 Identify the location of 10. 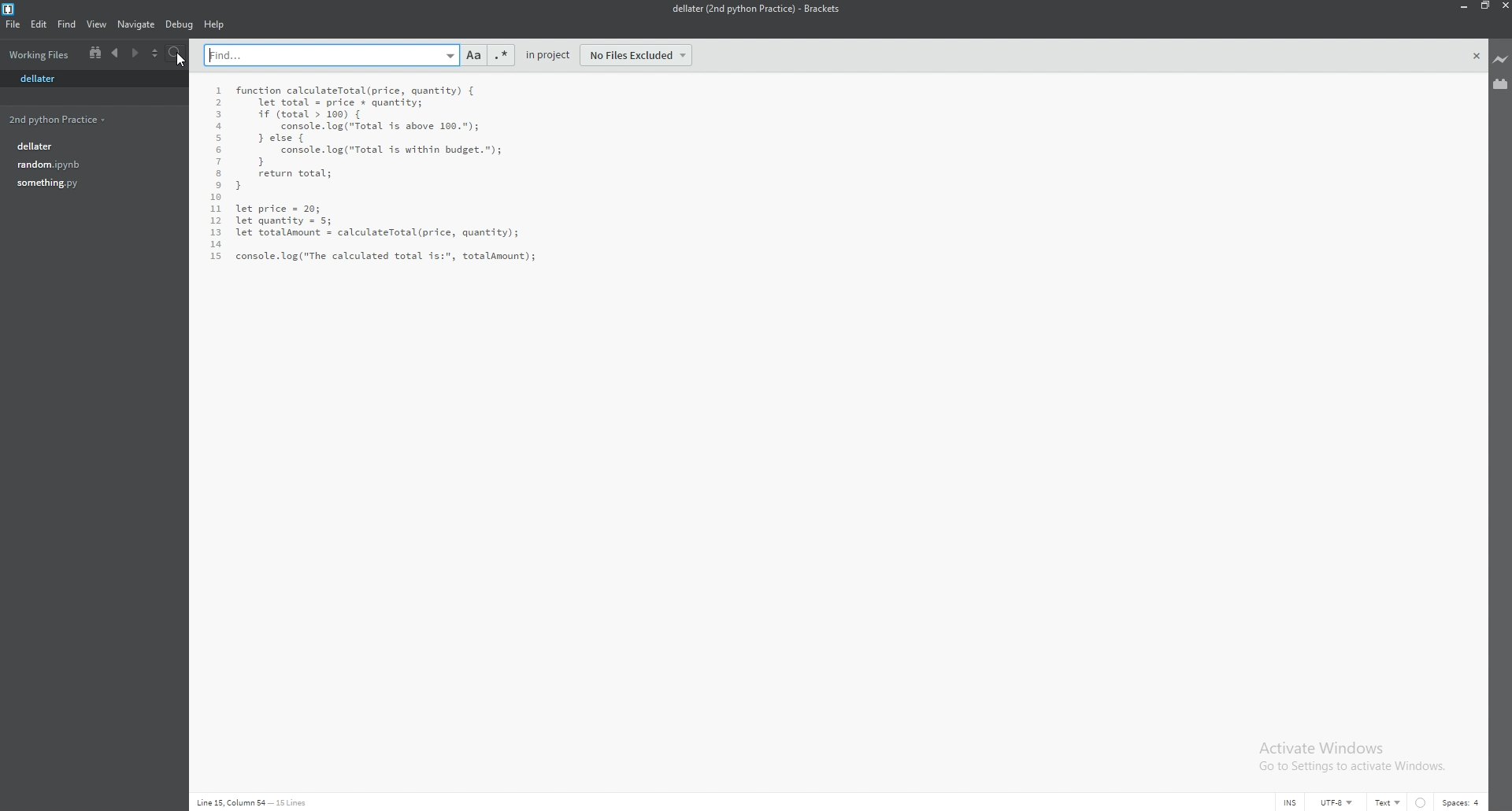
(216, 198).